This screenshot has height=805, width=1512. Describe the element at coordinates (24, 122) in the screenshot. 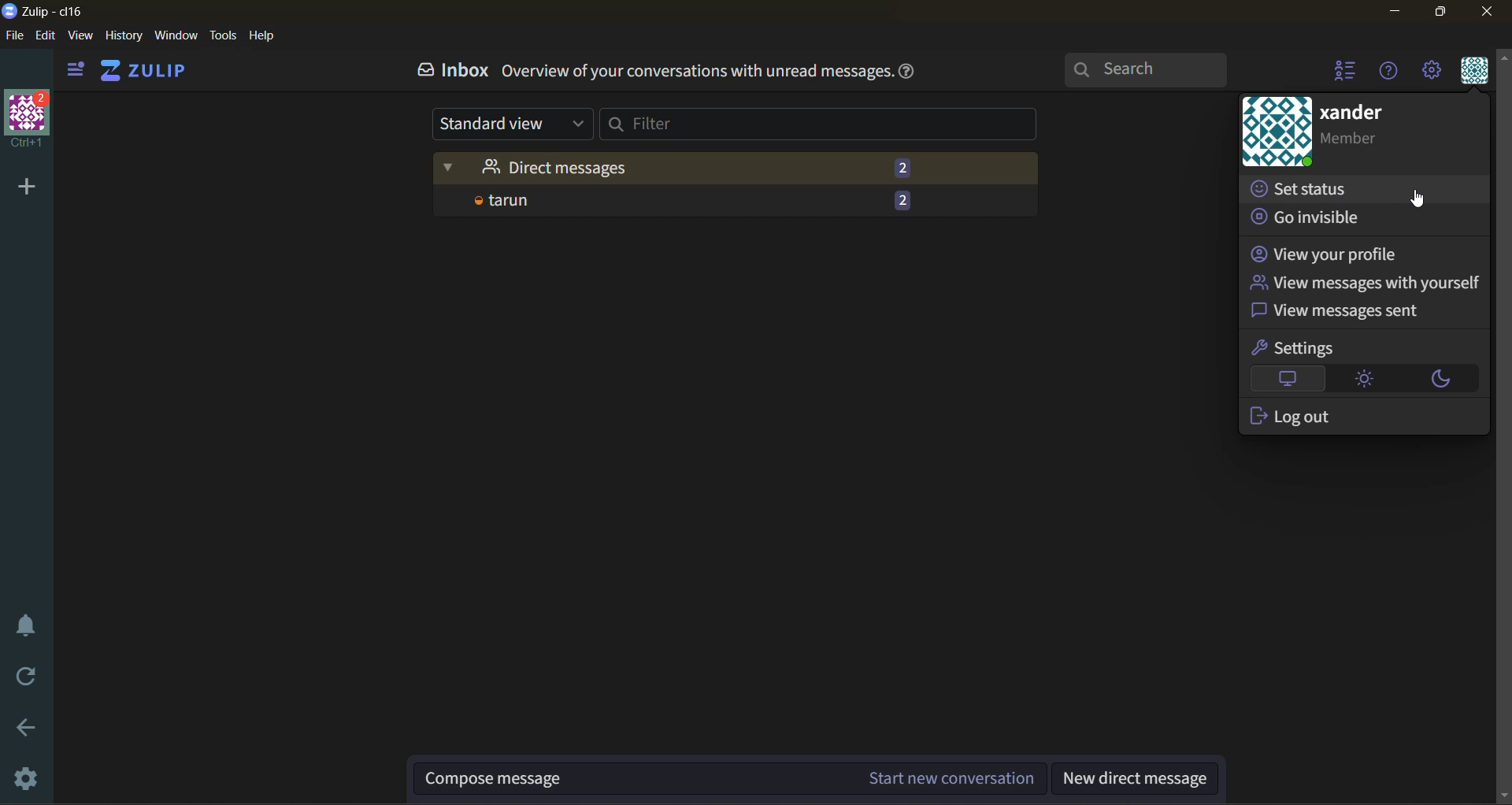

I see `organisation name and profile picture` at that location.